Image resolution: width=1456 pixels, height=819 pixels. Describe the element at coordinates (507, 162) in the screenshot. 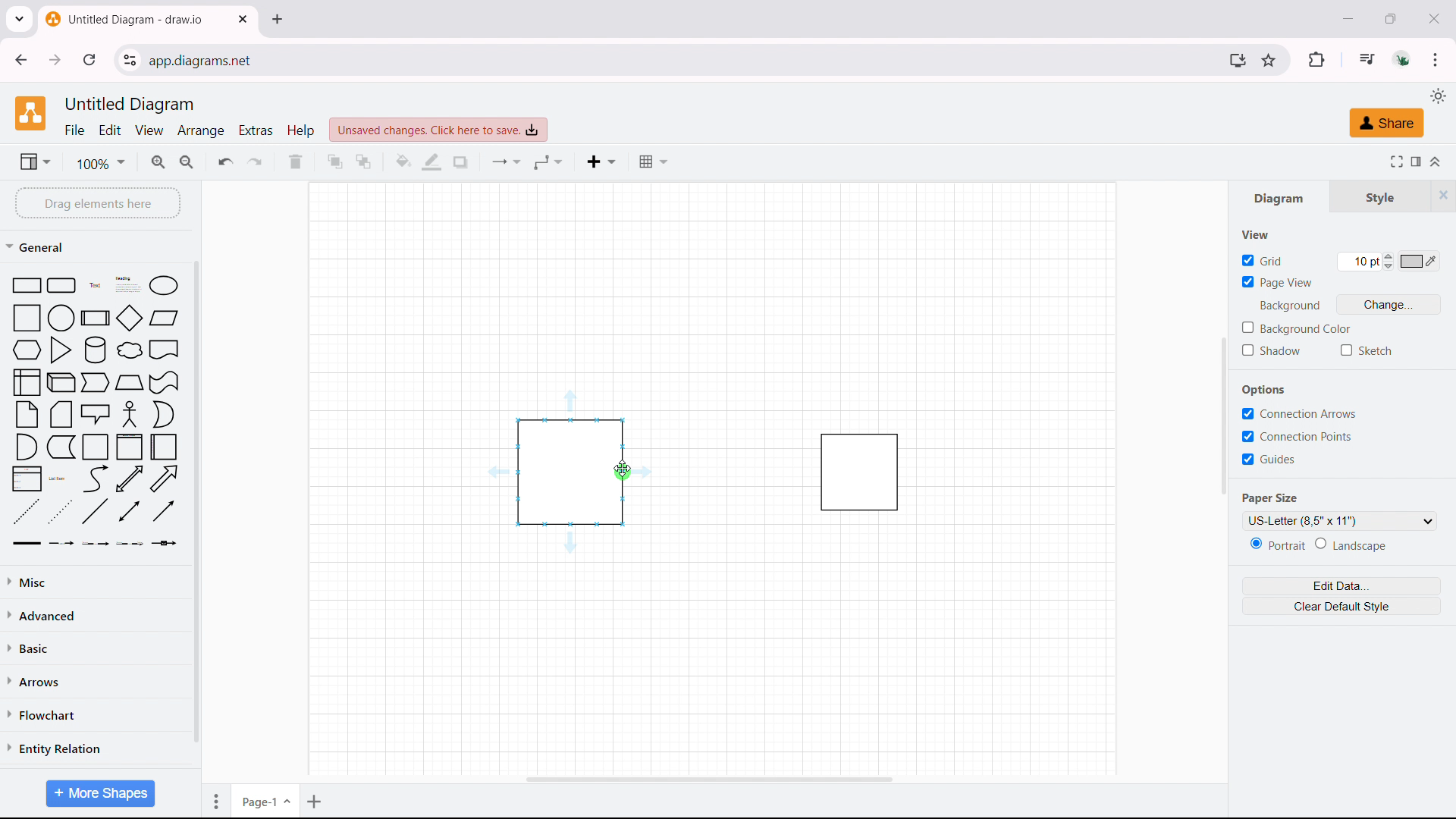

I see `conncetion` at that location.